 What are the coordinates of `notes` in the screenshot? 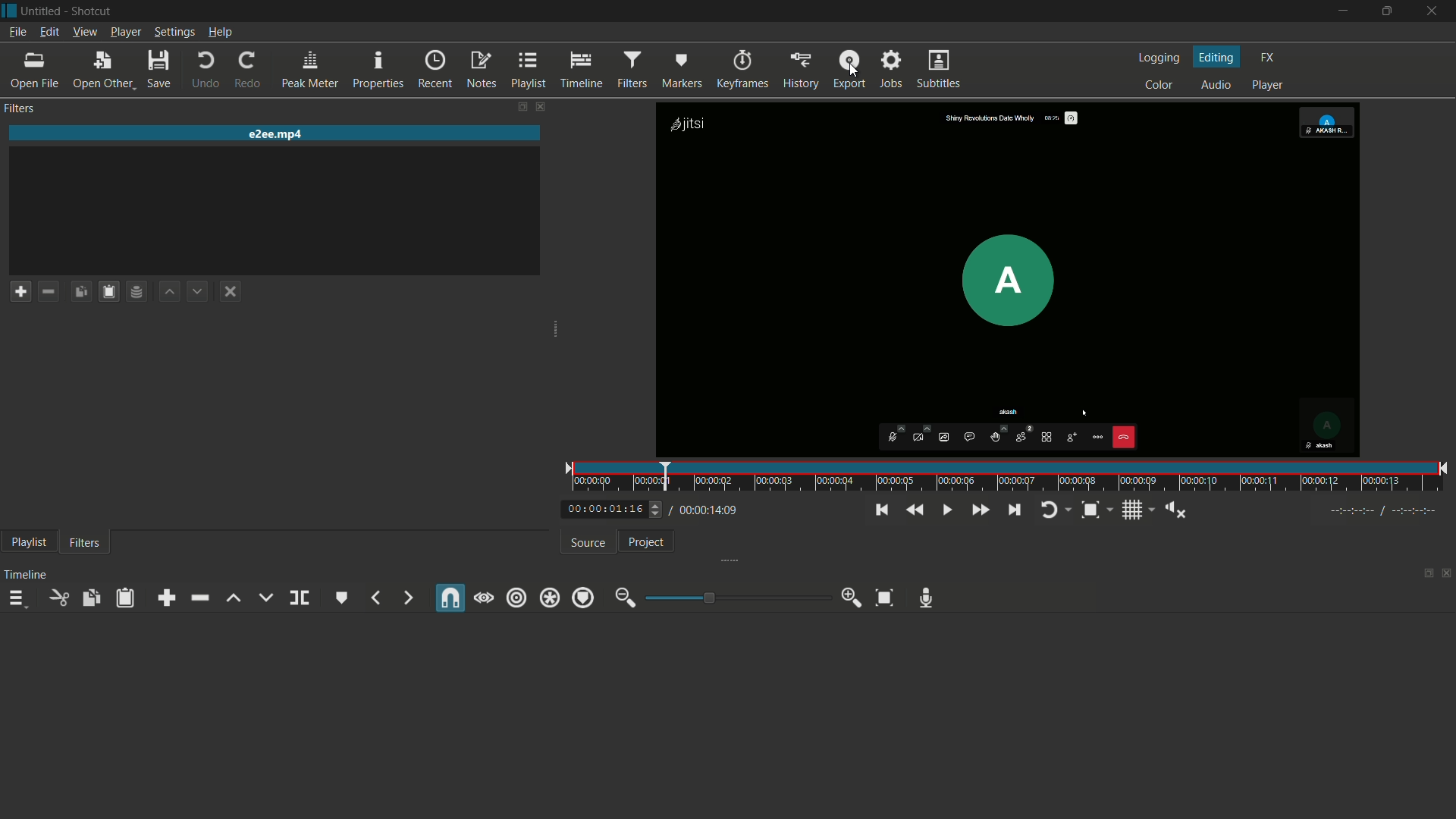 It's located at (481, 71).